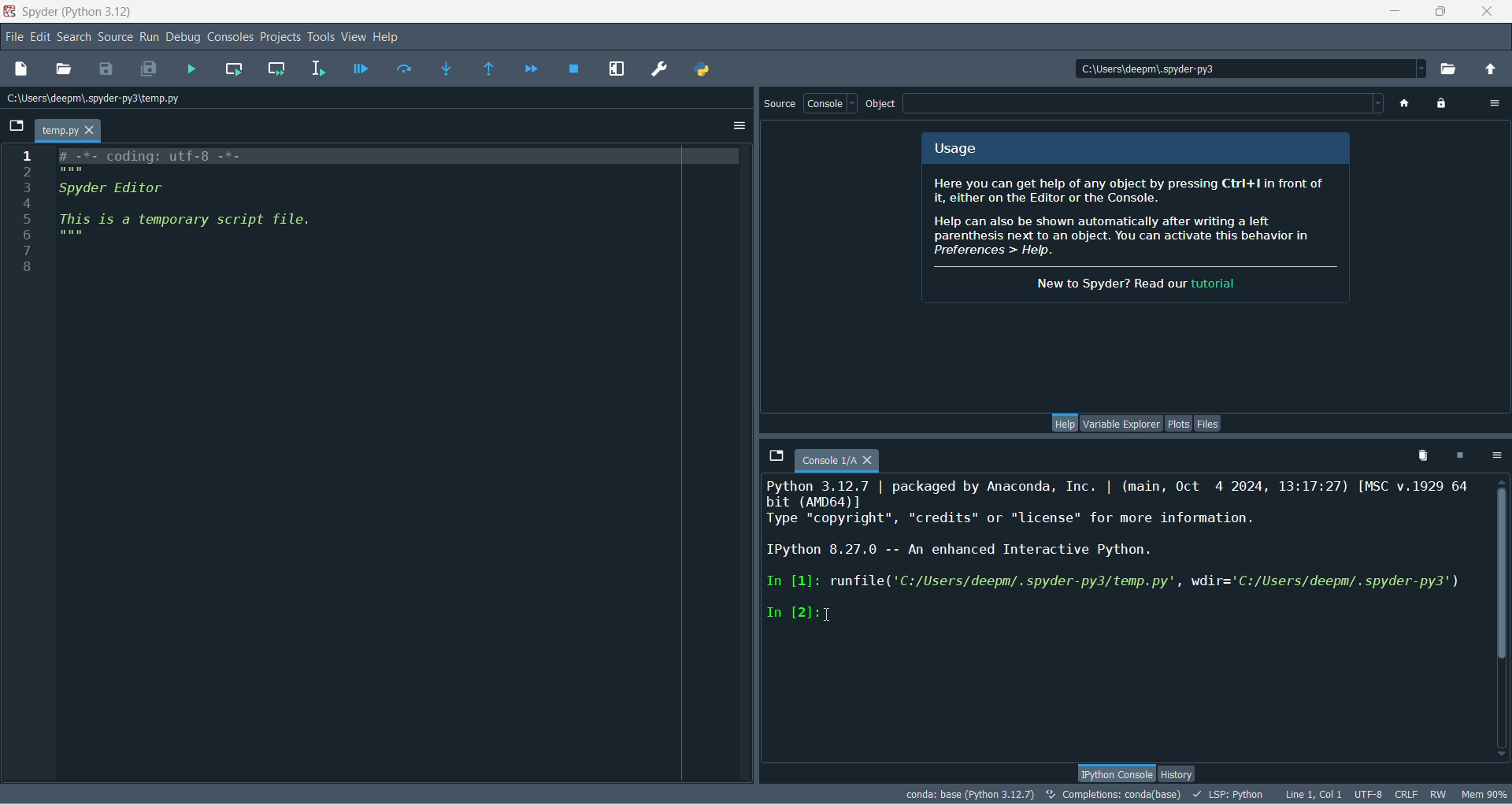  What do you see at coordinates (70, 131) in the screenshot?
I see `temp.py` at bounding box center [70, 131].